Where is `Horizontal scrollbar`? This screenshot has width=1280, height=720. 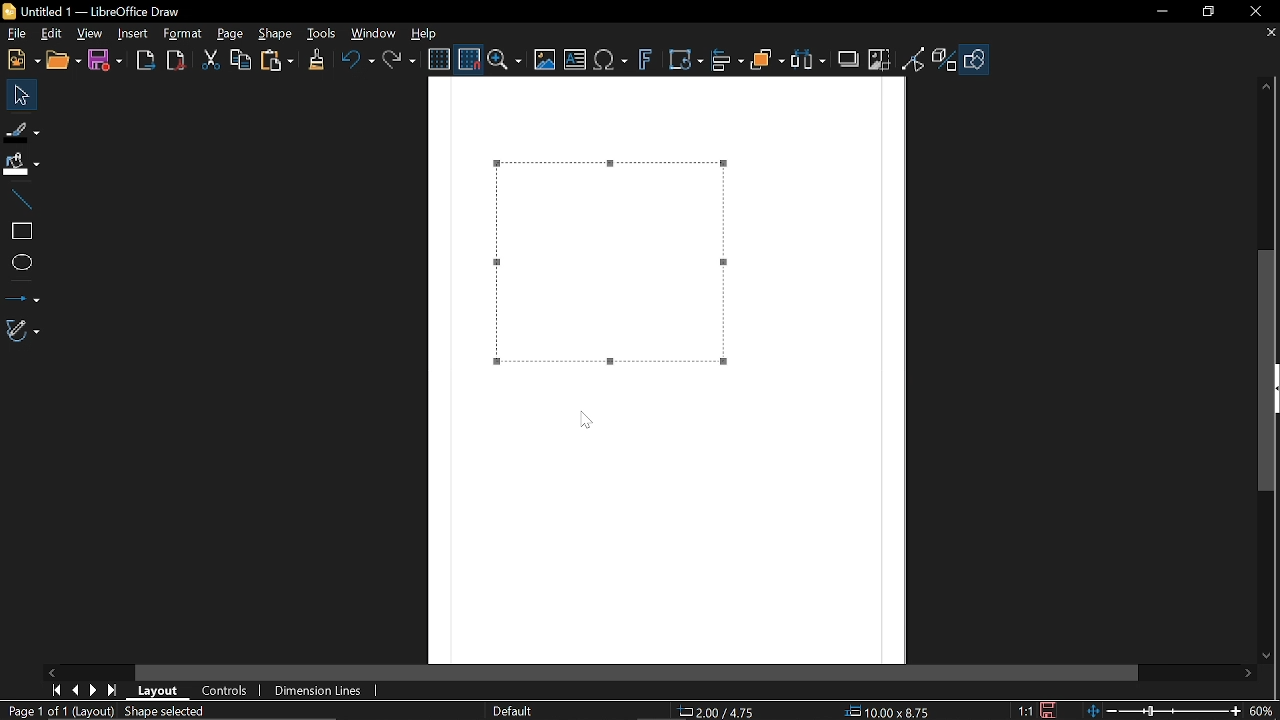
Horizontal scrollbar is located at coordinates (638, 673).